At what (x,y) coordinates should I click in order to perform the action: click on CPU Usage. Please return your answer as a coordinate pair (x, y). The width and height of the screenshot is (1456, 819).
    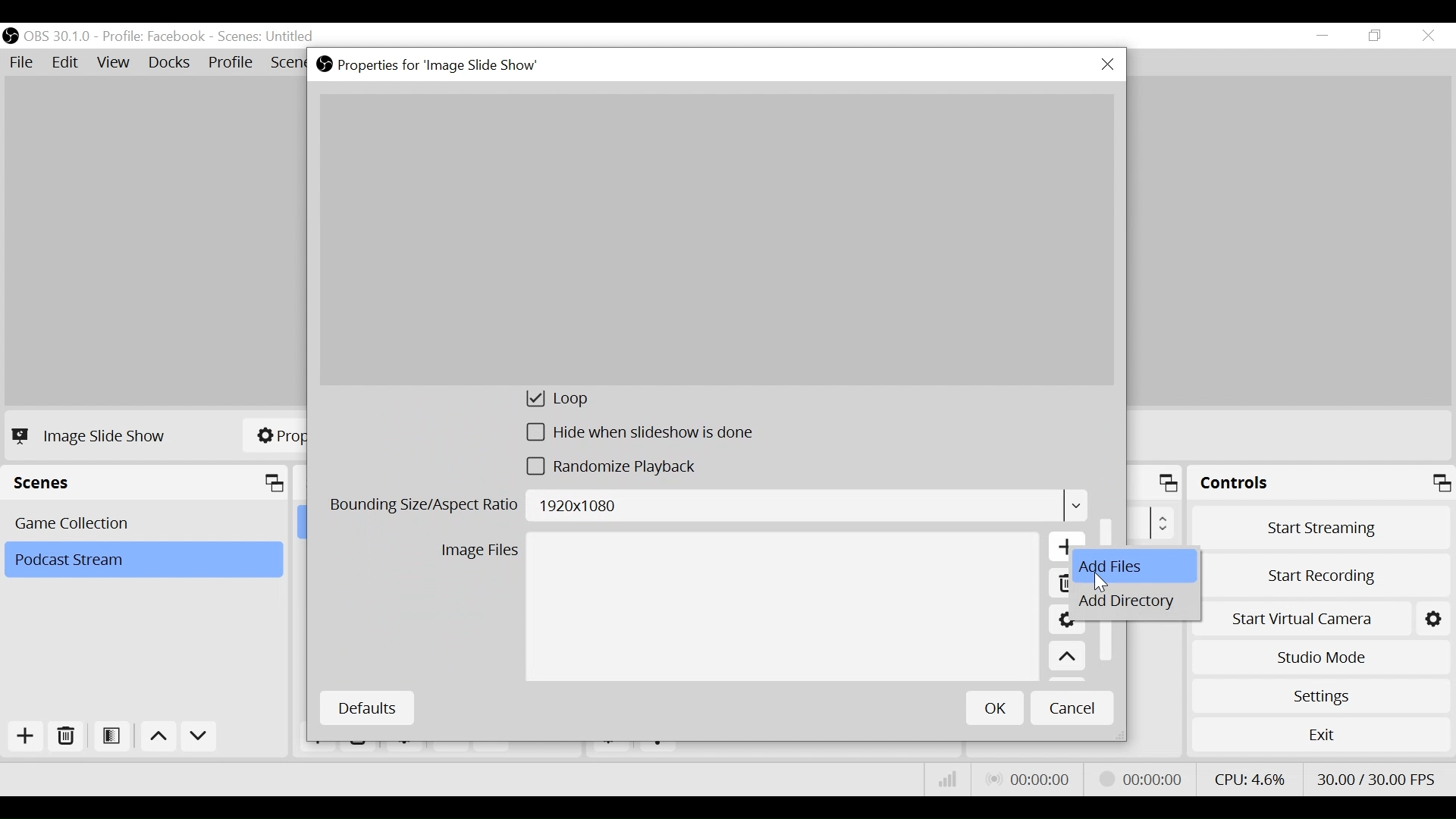
    Looking at the image, I should click on (1247, 777).